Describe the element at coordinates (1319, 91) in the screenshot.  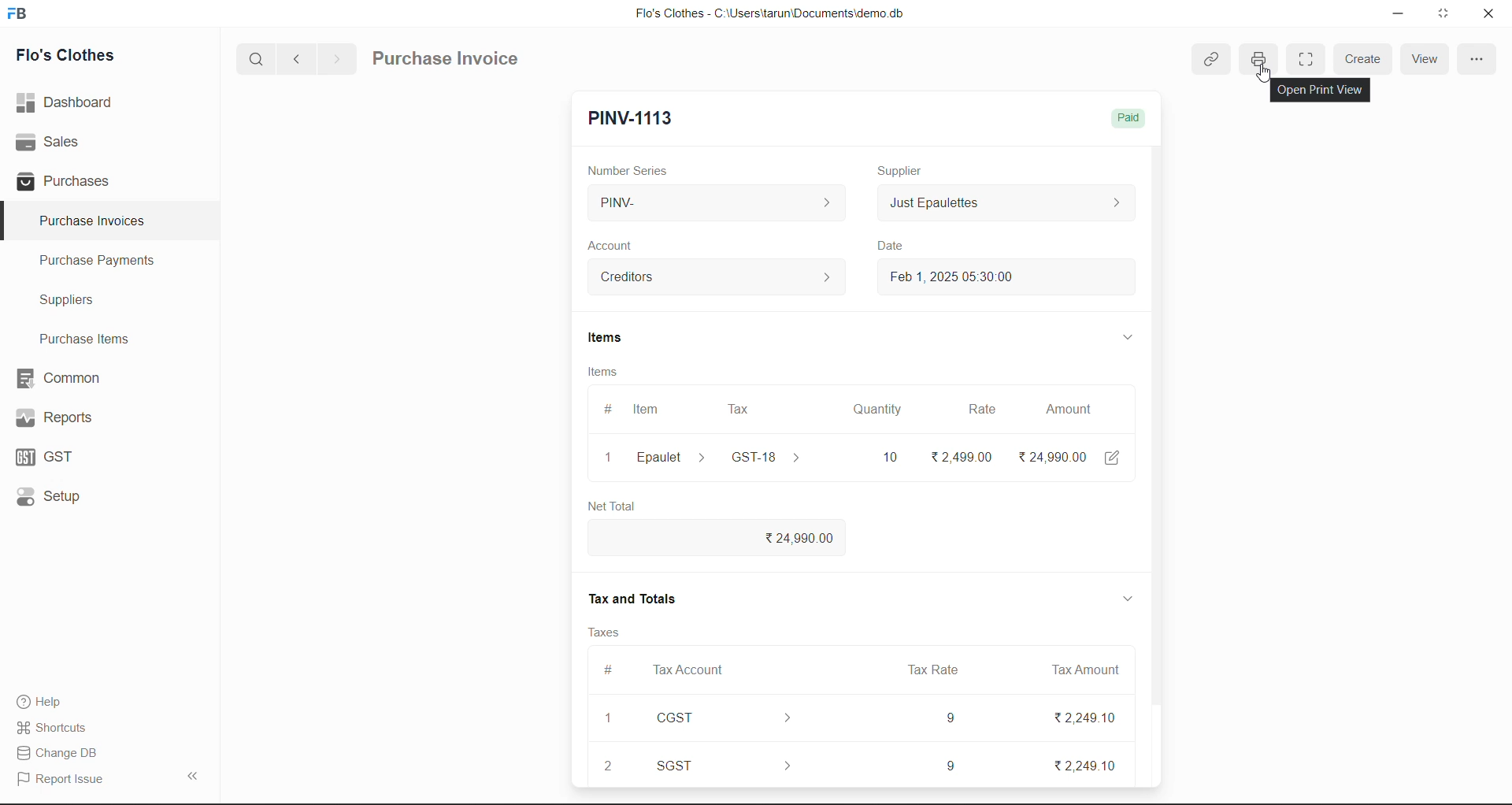
I see `open print view` at that location.